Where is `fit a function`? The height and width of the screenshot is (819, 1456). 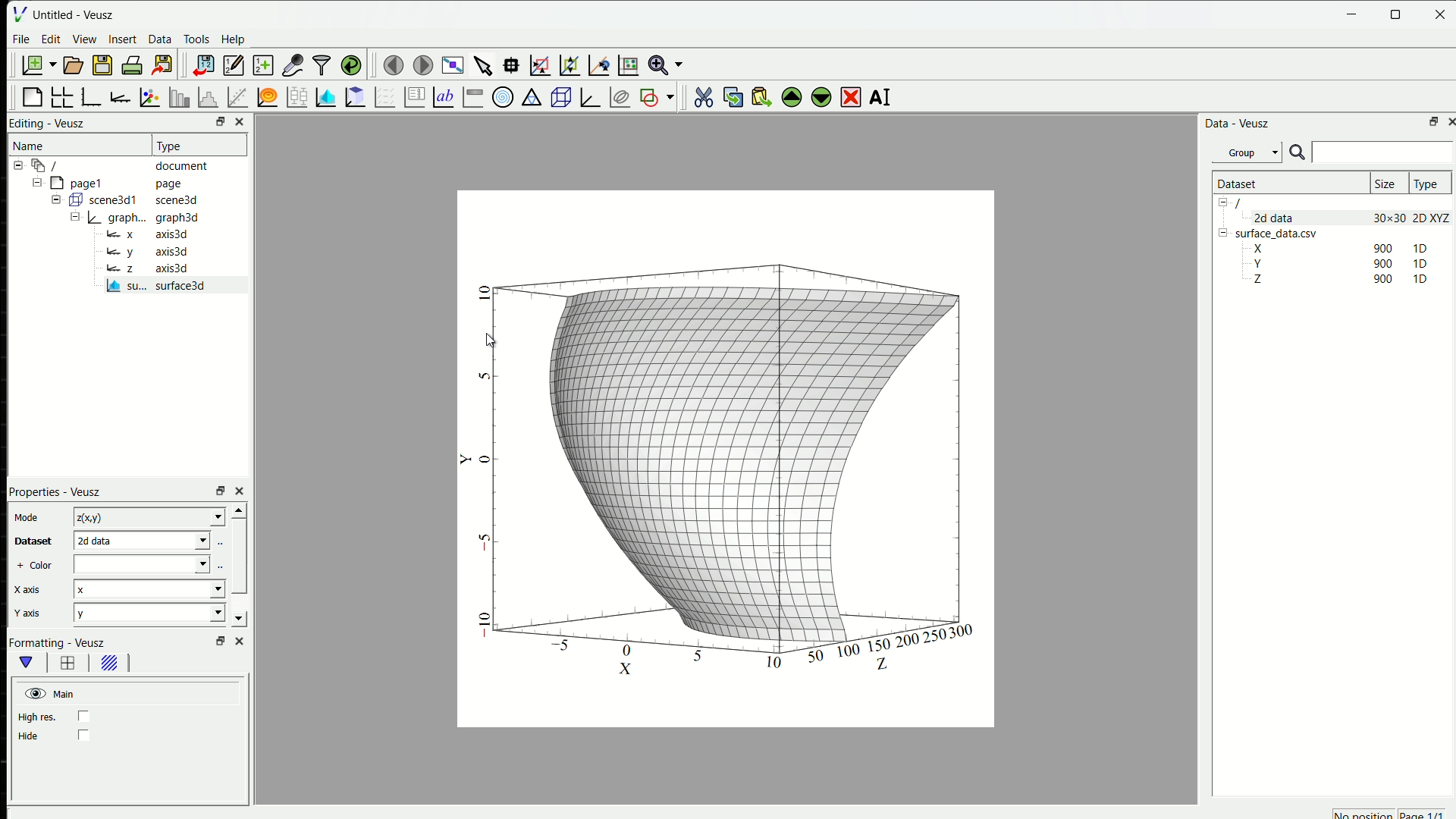
fit a function is located at coordinates (238, 96).